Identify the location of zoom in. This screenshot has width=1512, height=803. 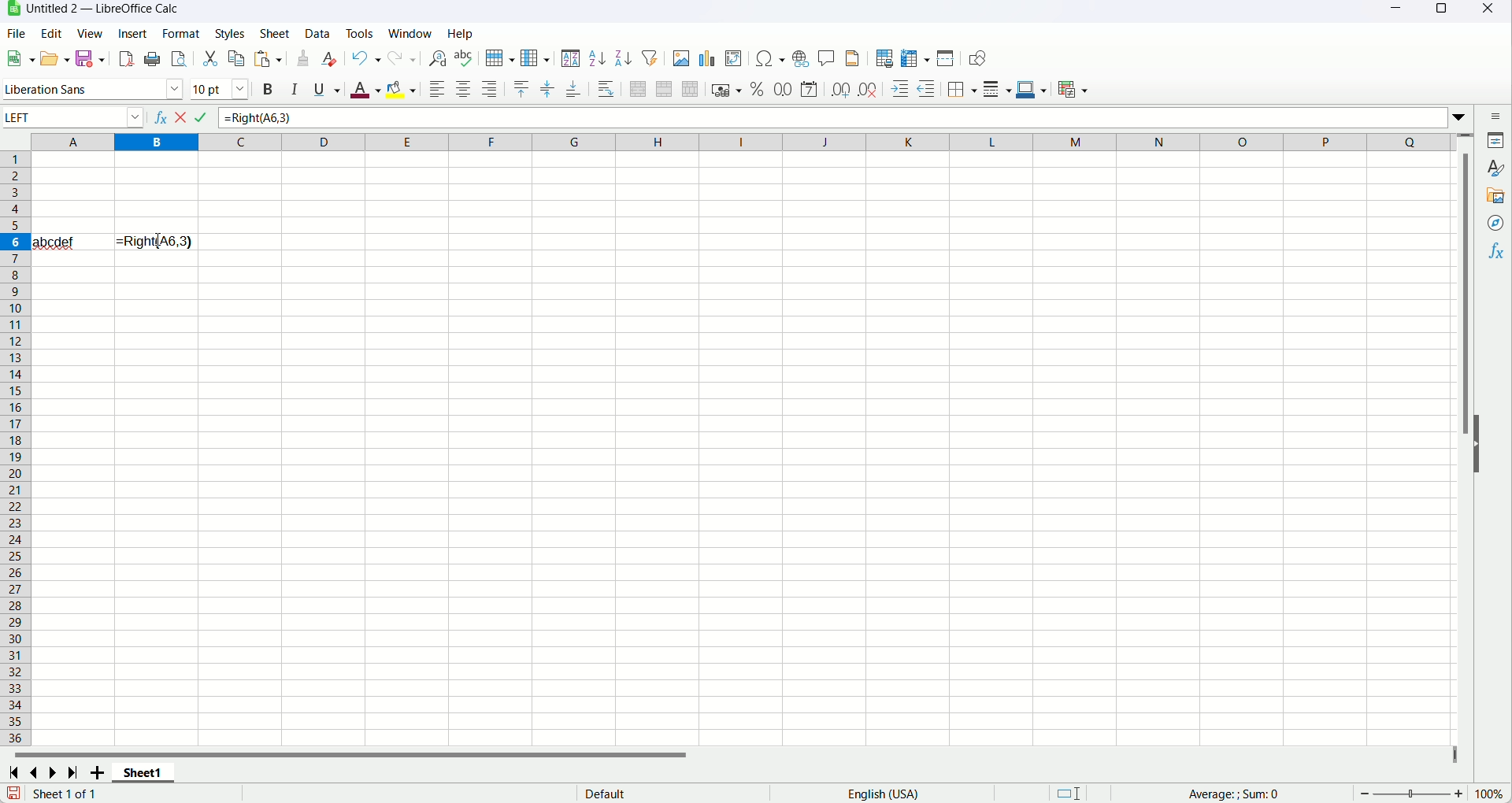
(1458, 794).